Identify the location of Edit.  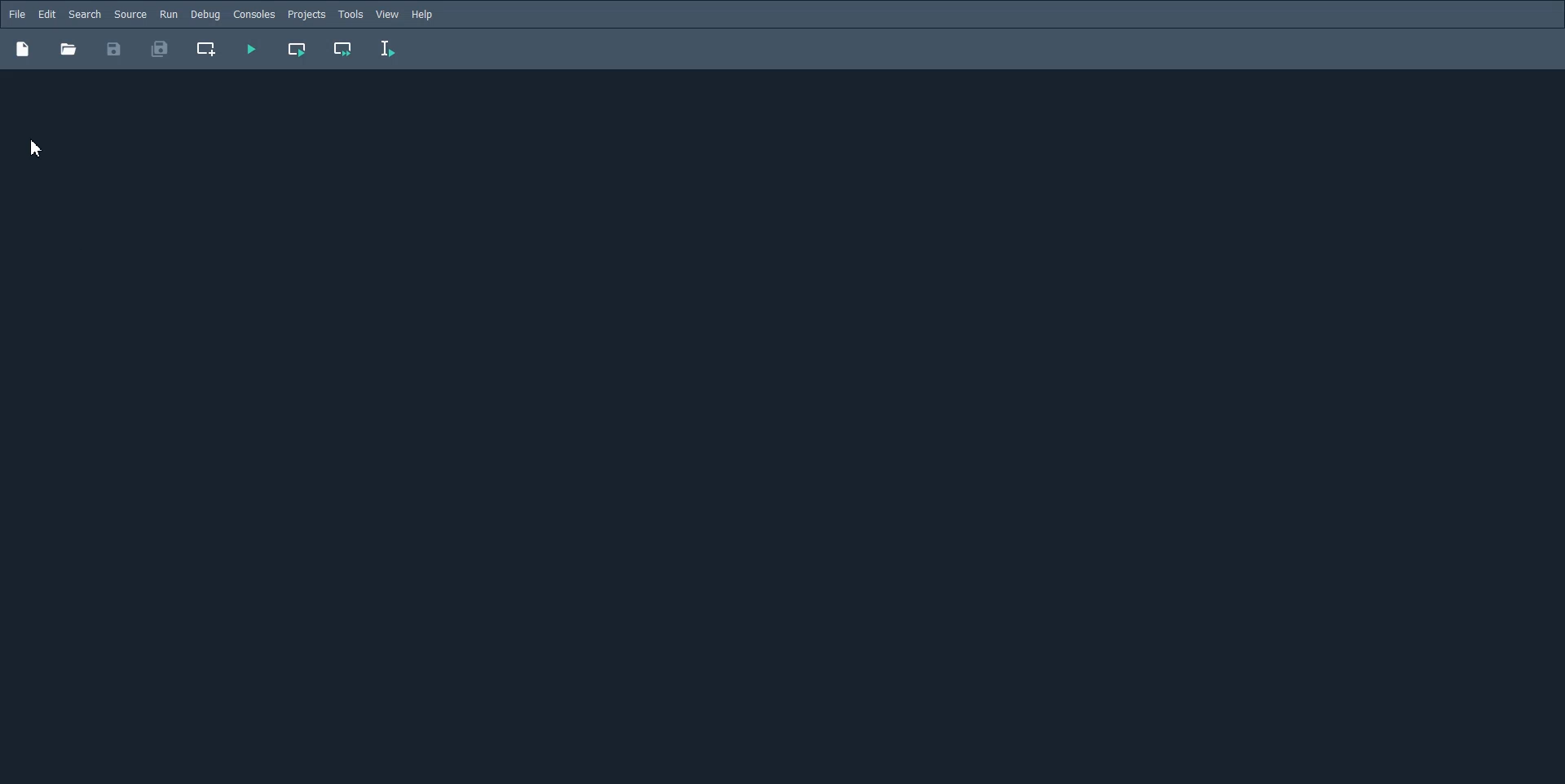
(46, 15).